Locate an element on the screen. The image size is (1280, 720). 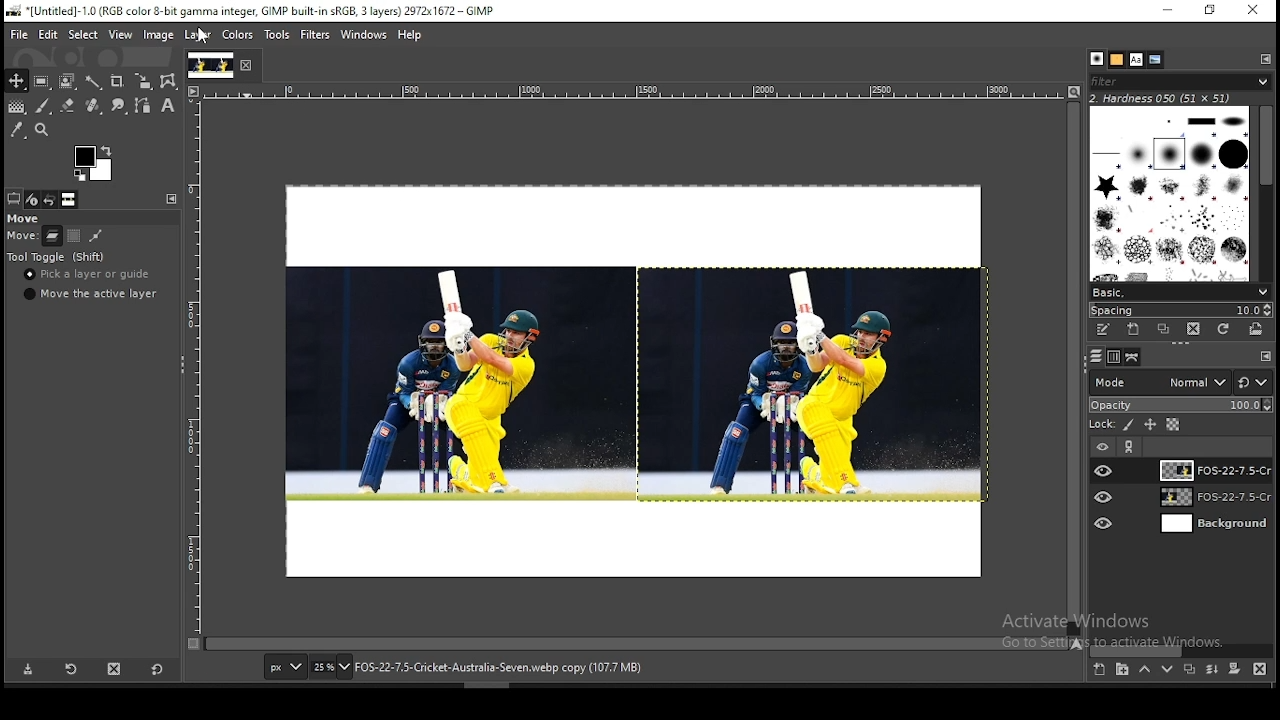
paths is located at coordinates (1134, 357).